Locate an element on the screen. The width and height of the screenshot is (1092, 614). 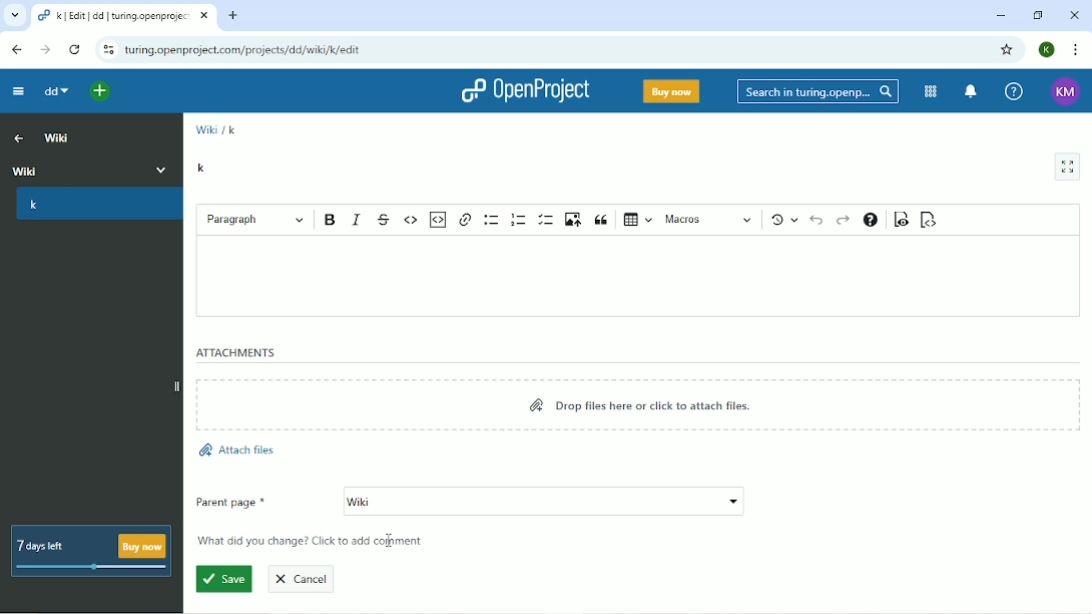
dd is located at coordinates (52, 92).